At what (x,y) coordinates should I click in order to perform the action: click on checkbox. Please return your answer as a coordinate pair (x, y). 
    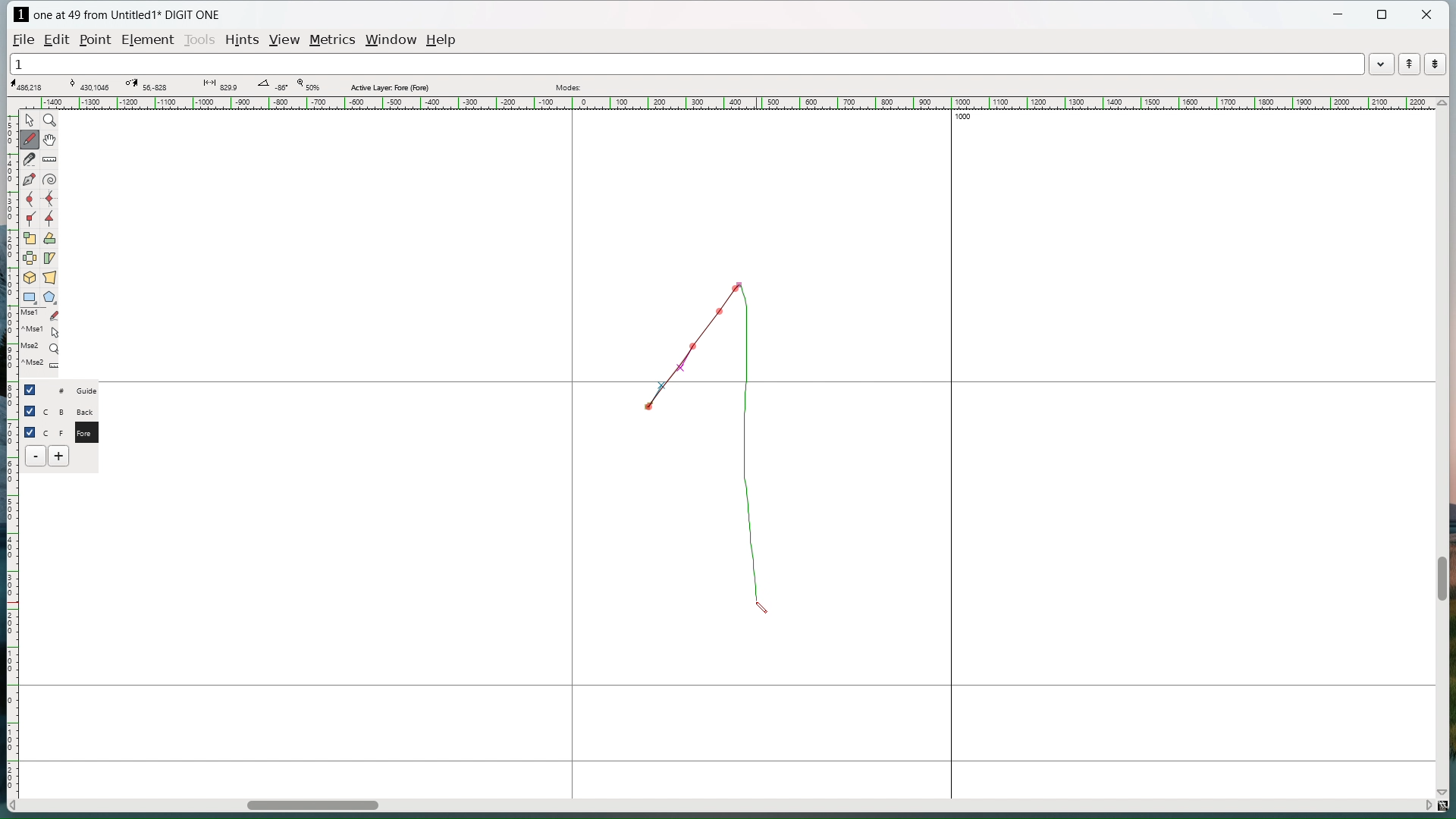
    Looking at the image, I should click on (30, 431).